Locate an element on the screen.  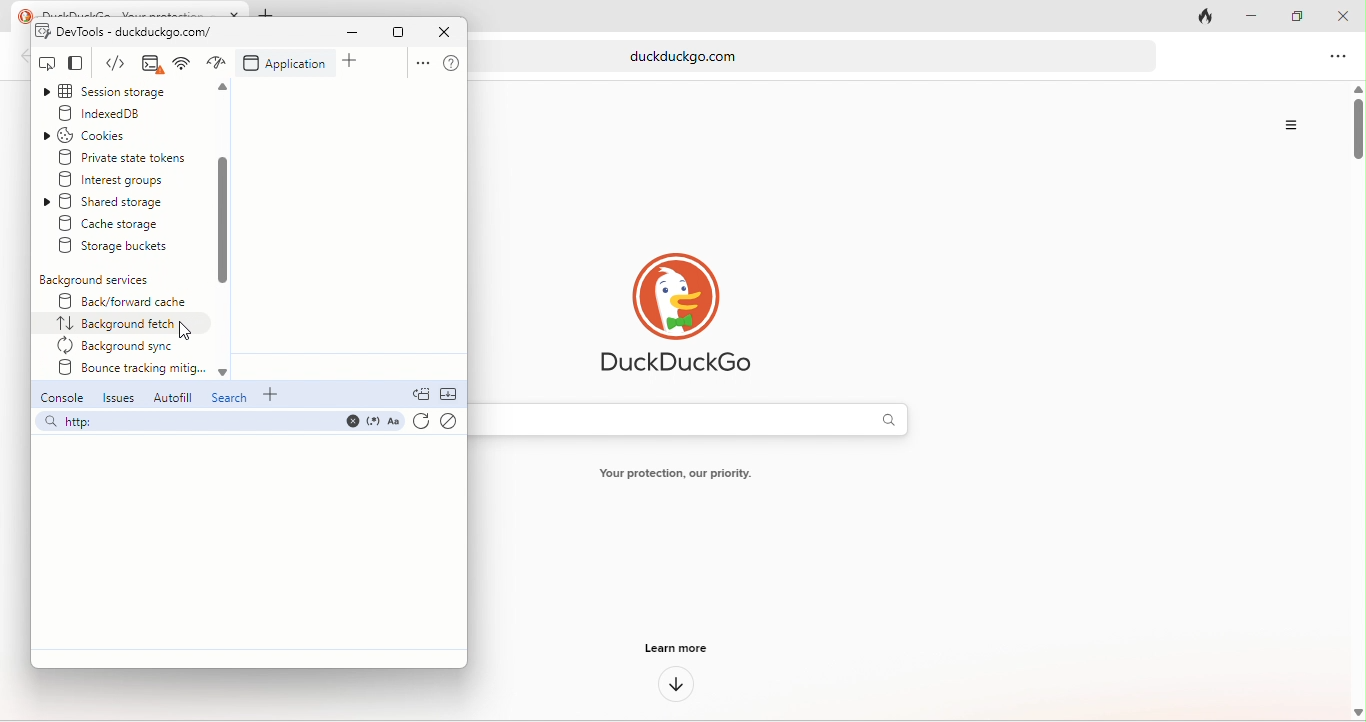
close is located at coordinates (1344, 17).